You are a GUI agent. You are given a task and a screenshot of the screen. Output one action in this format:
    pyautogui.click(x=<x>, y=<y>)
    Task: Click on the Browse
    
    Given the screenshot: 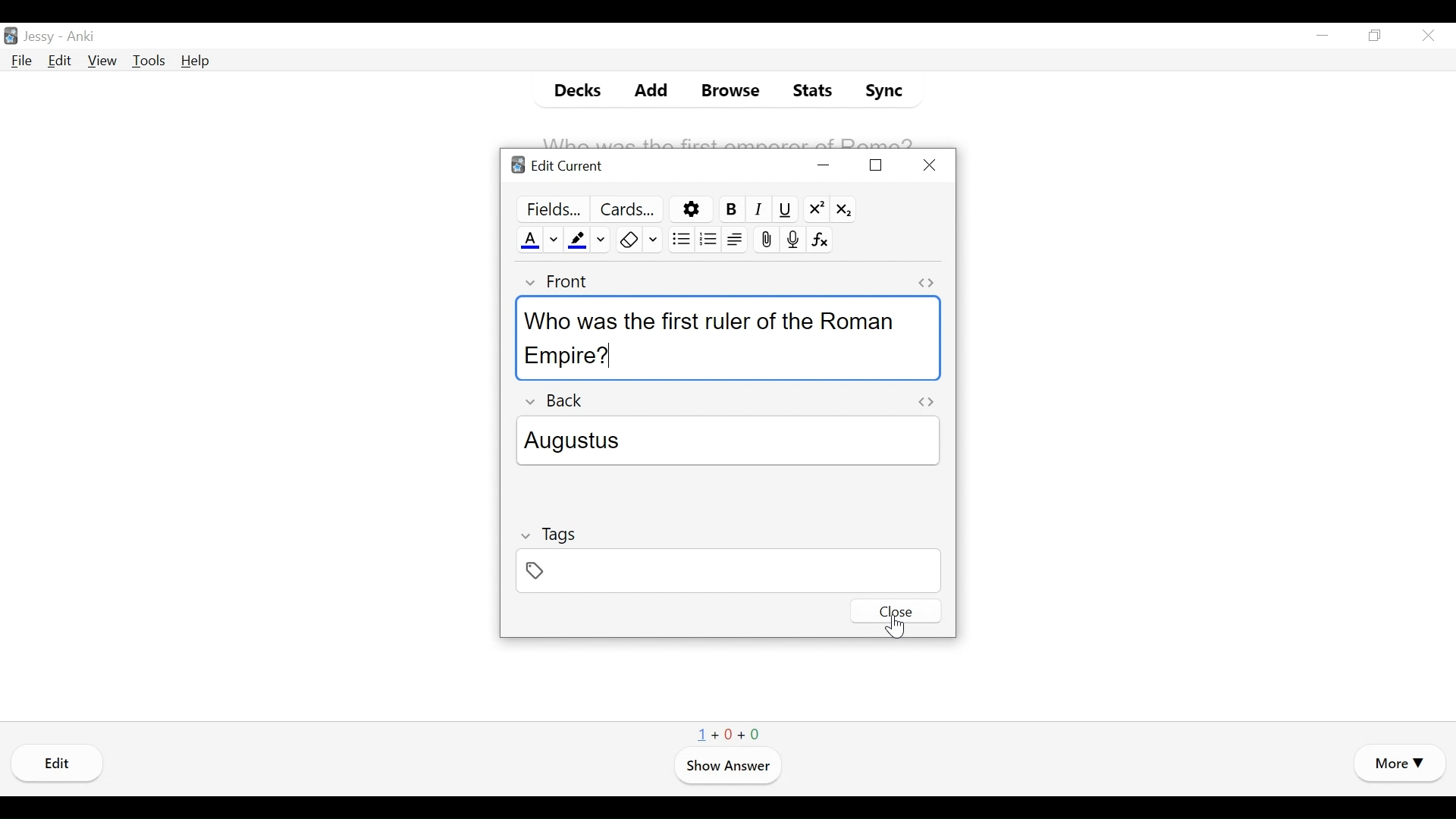 What is the action you would take?
    pyautogui.click(x=726, y=90)
    